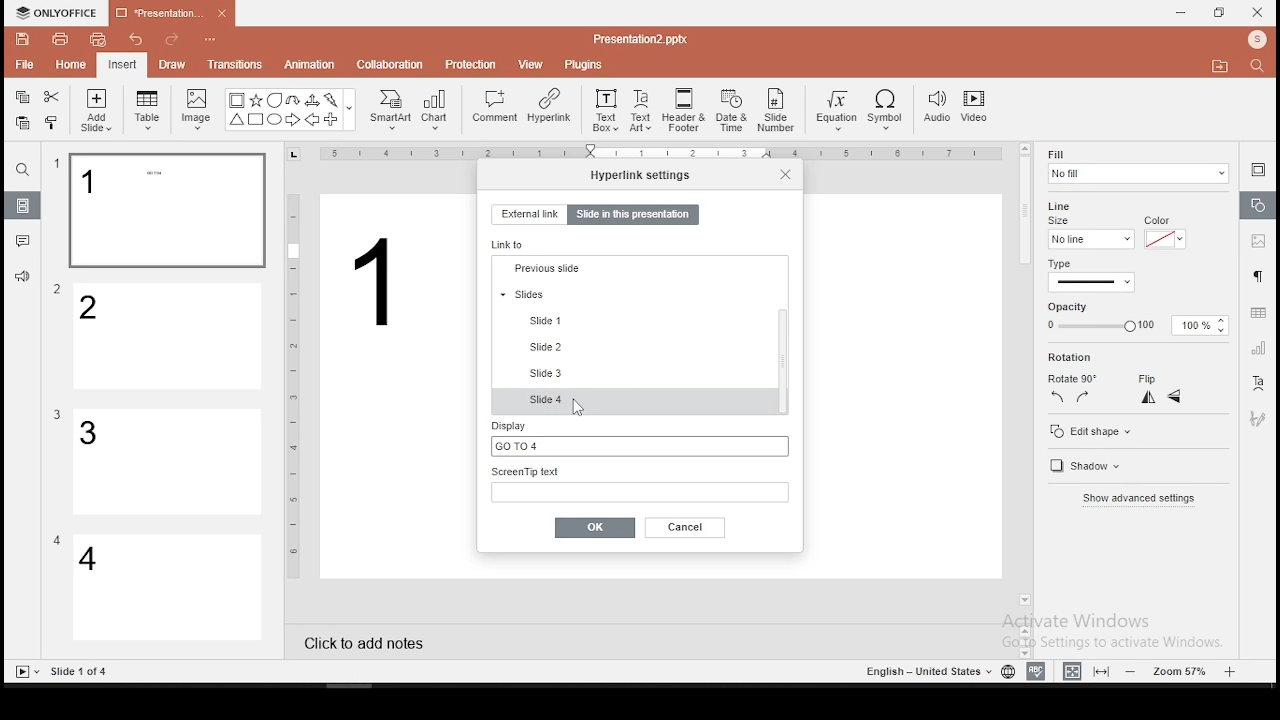  I want to click on display, so click(637, 437).